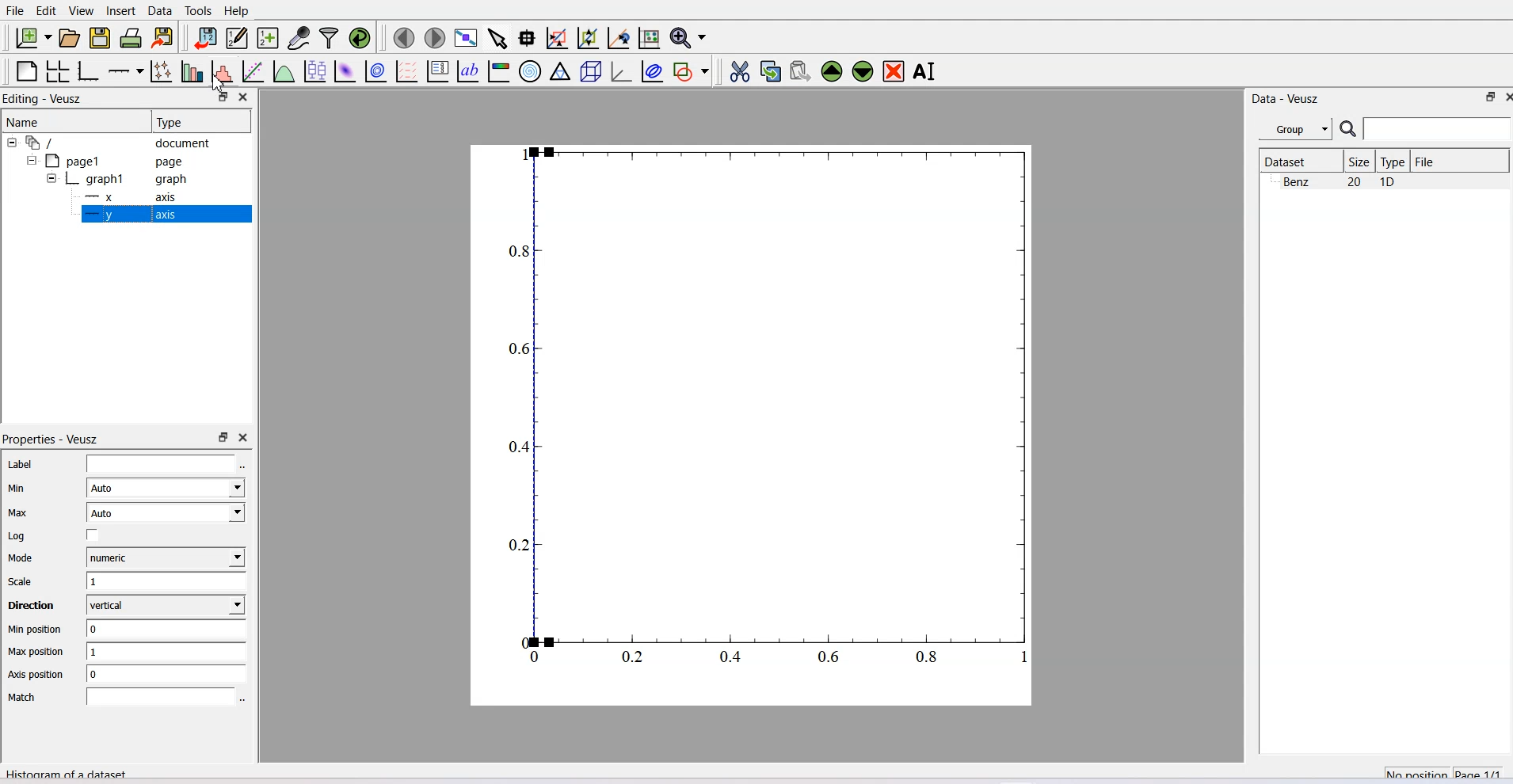 This screenshot has width=1513, height=784. Describe the element at coordinates (52, 438) in the screenshot. I see `Properties - Veusz` at that location.